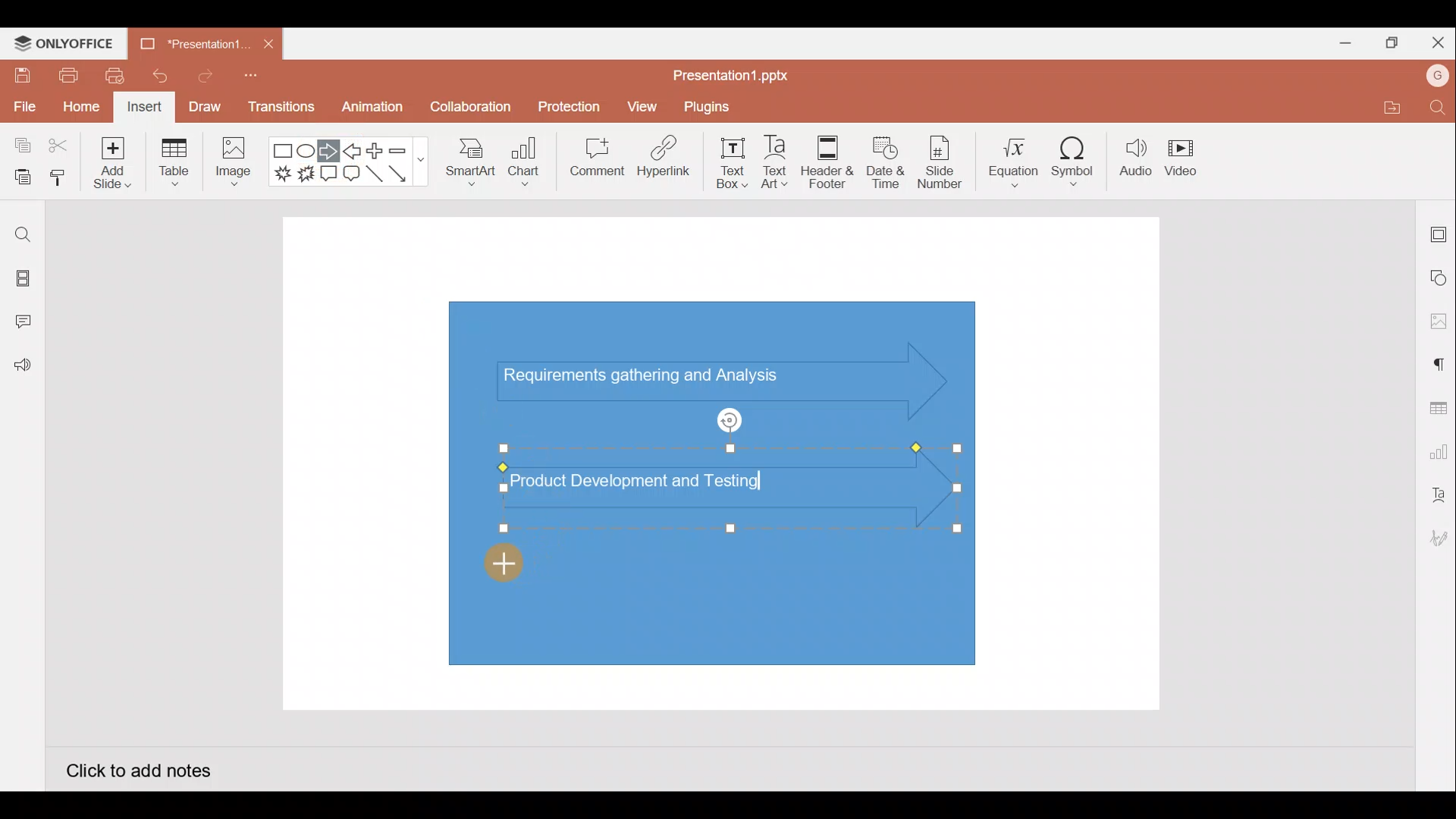 The image size is (1456, 819). Describe the element at coordinates (27, 323) in the screenshot. I see `Comments` at that location.